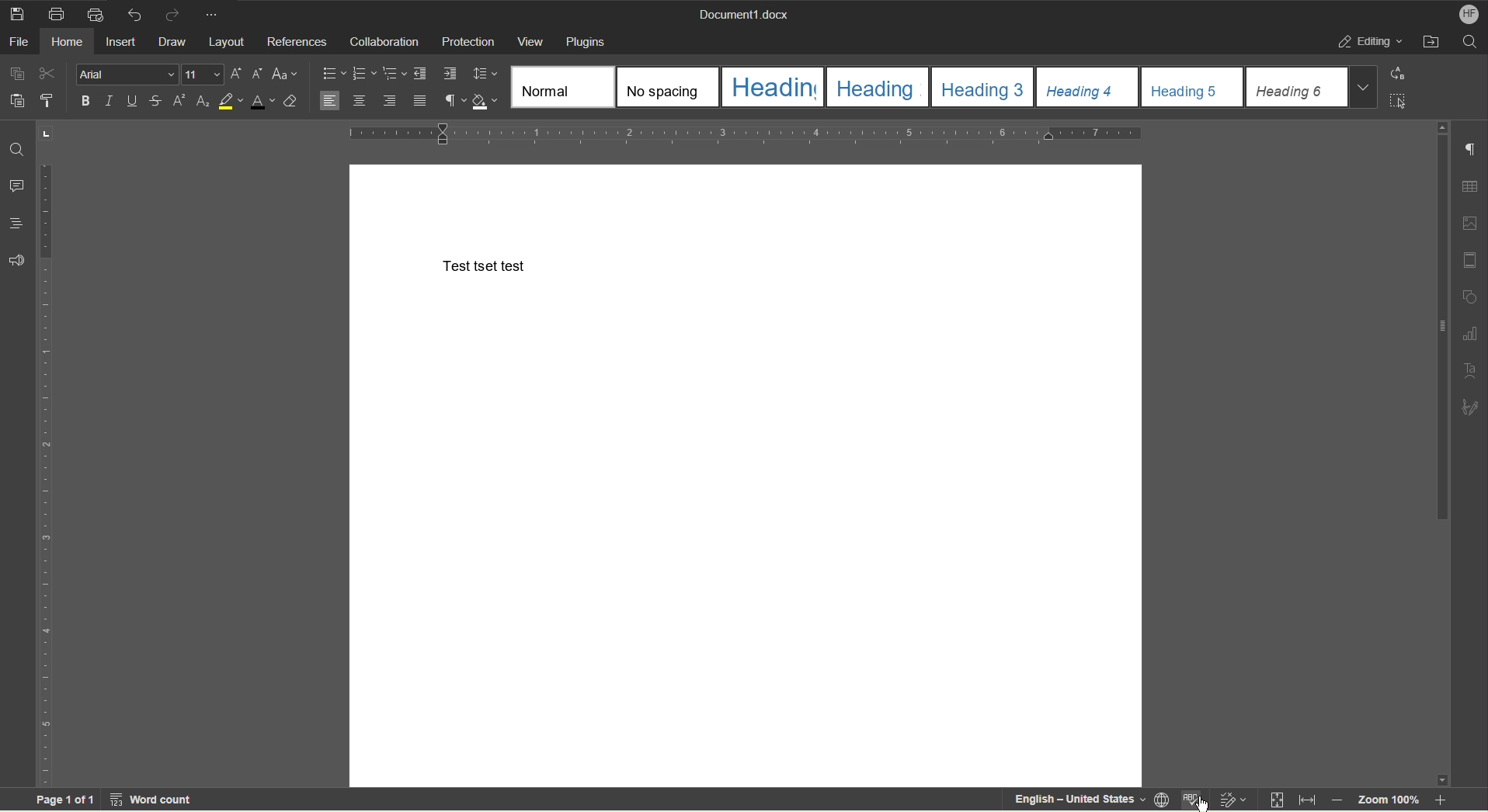 This screenshot has height=812, width=1488. Describe the element at coordinates (1073, 800) in the screenshot. I see `English - United States` at that location.